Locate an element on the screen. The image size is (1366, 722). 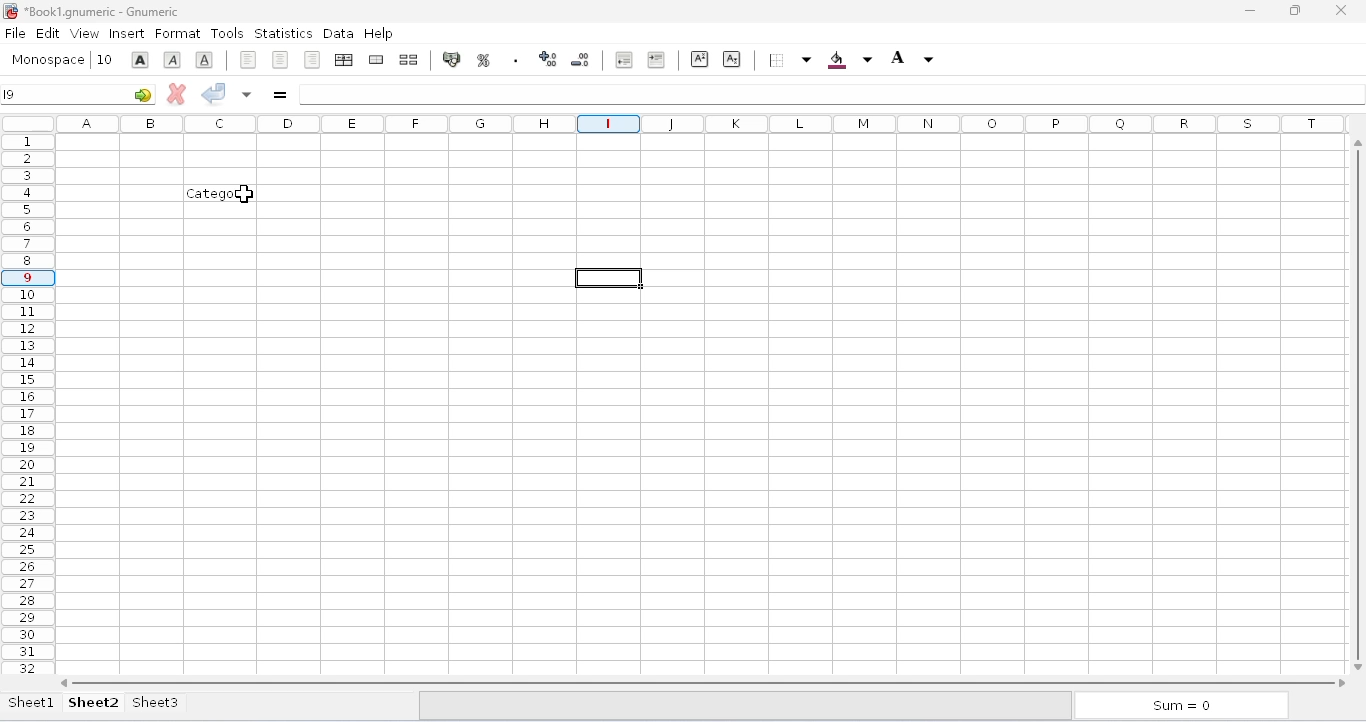
horizontal scroll bar is located at coordinates (705, 683).